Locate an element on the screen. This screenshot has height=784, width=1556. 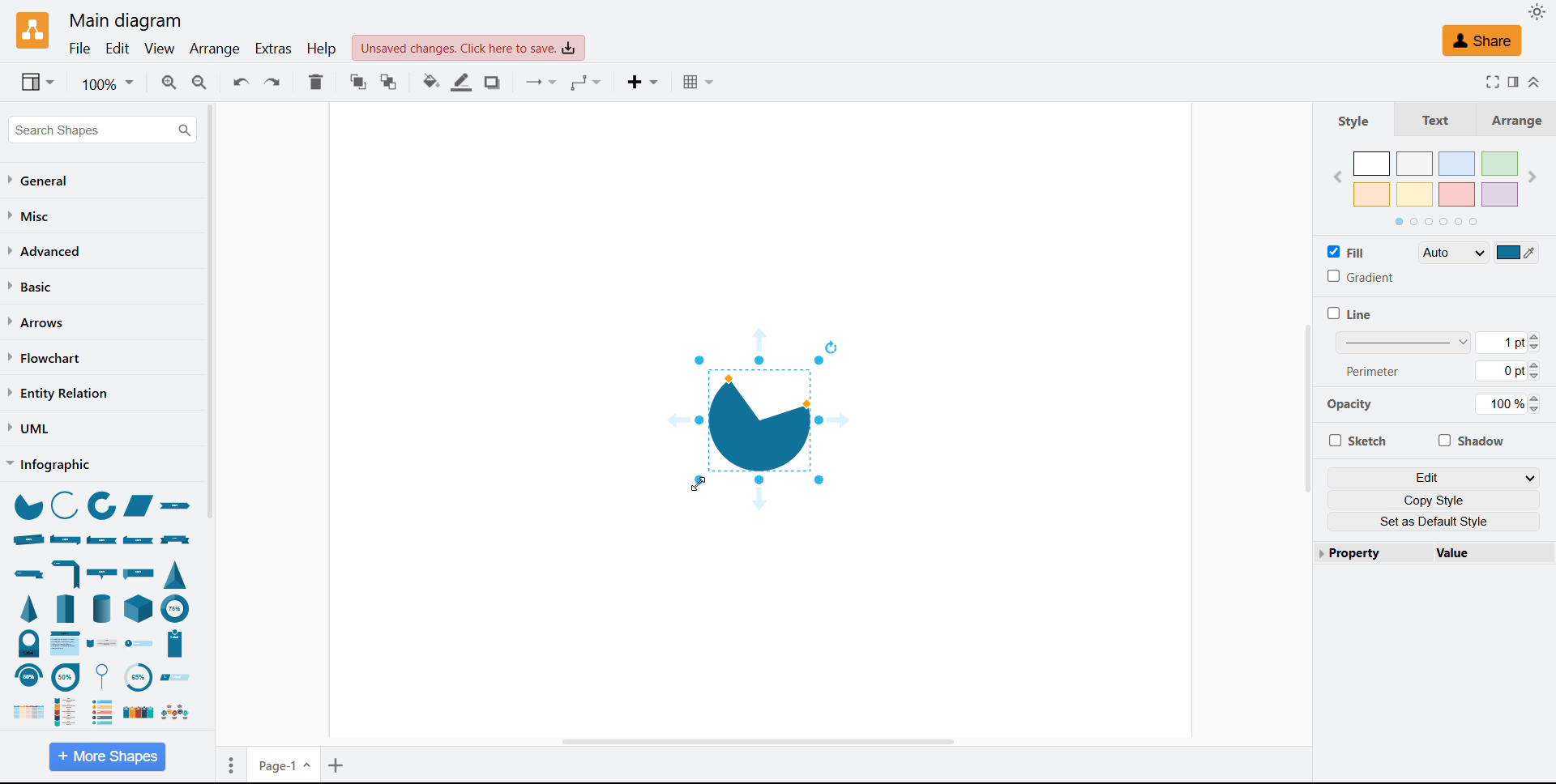
Delete  is located at coordinates (316, 82).